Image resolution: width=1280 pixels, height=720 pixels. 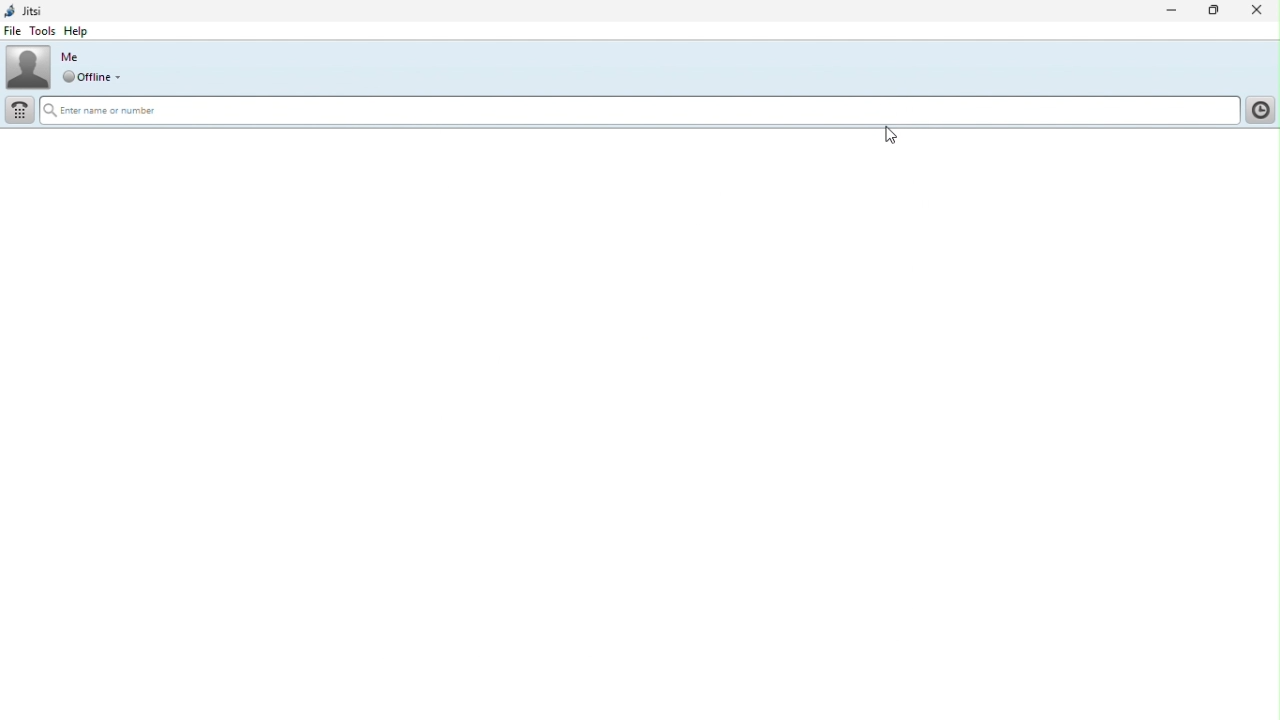 I want to click on Dial pad, so click(x=18, y=113).